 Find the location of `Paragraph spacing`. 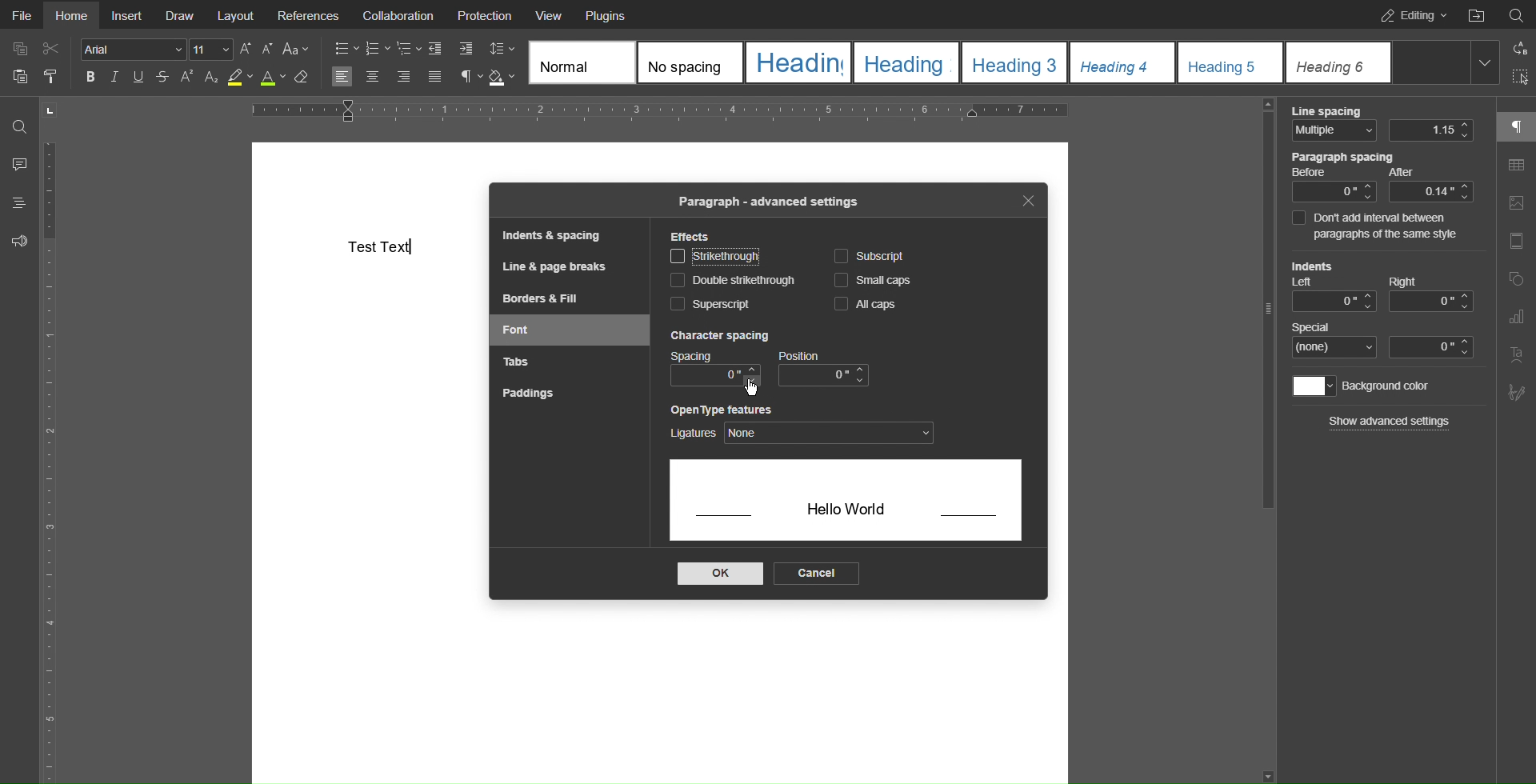

Paragraph spacing is located at coordinates (1382, 177).